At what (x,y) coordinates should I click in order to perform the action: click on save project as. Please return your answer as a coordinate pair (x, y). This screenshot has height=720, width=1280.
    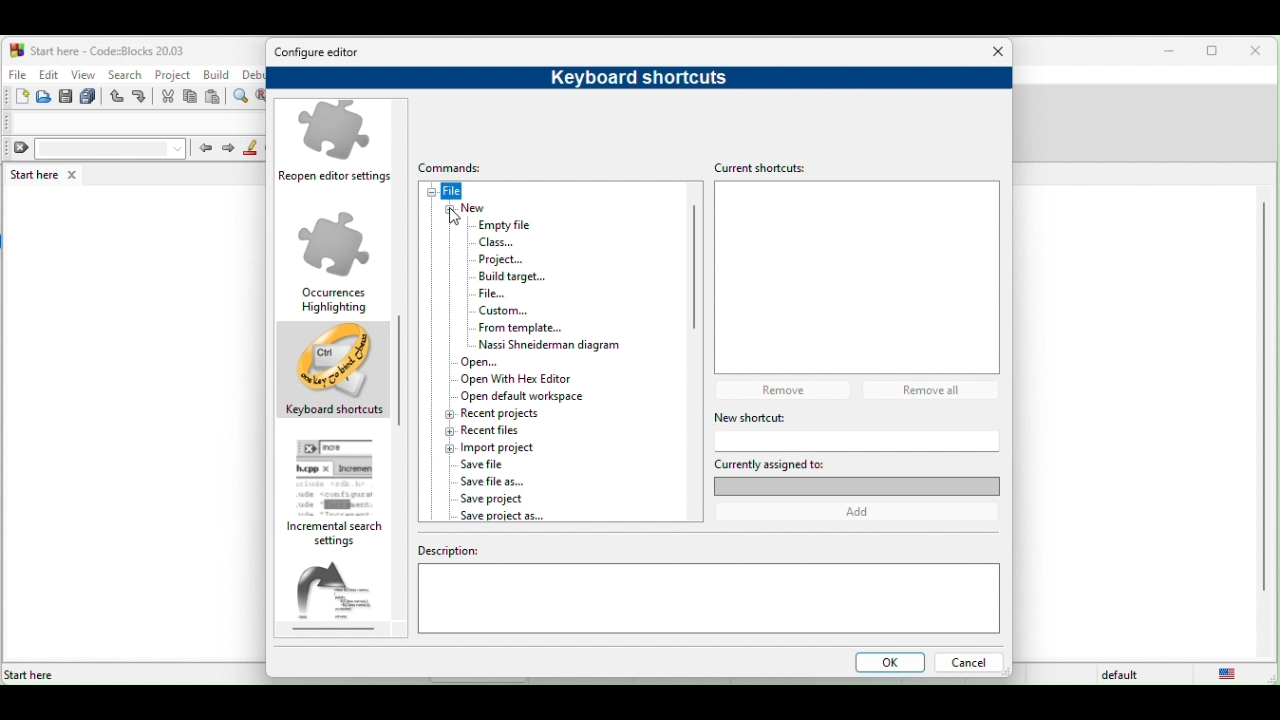
    Looking at the image, I should click on (501, 516).